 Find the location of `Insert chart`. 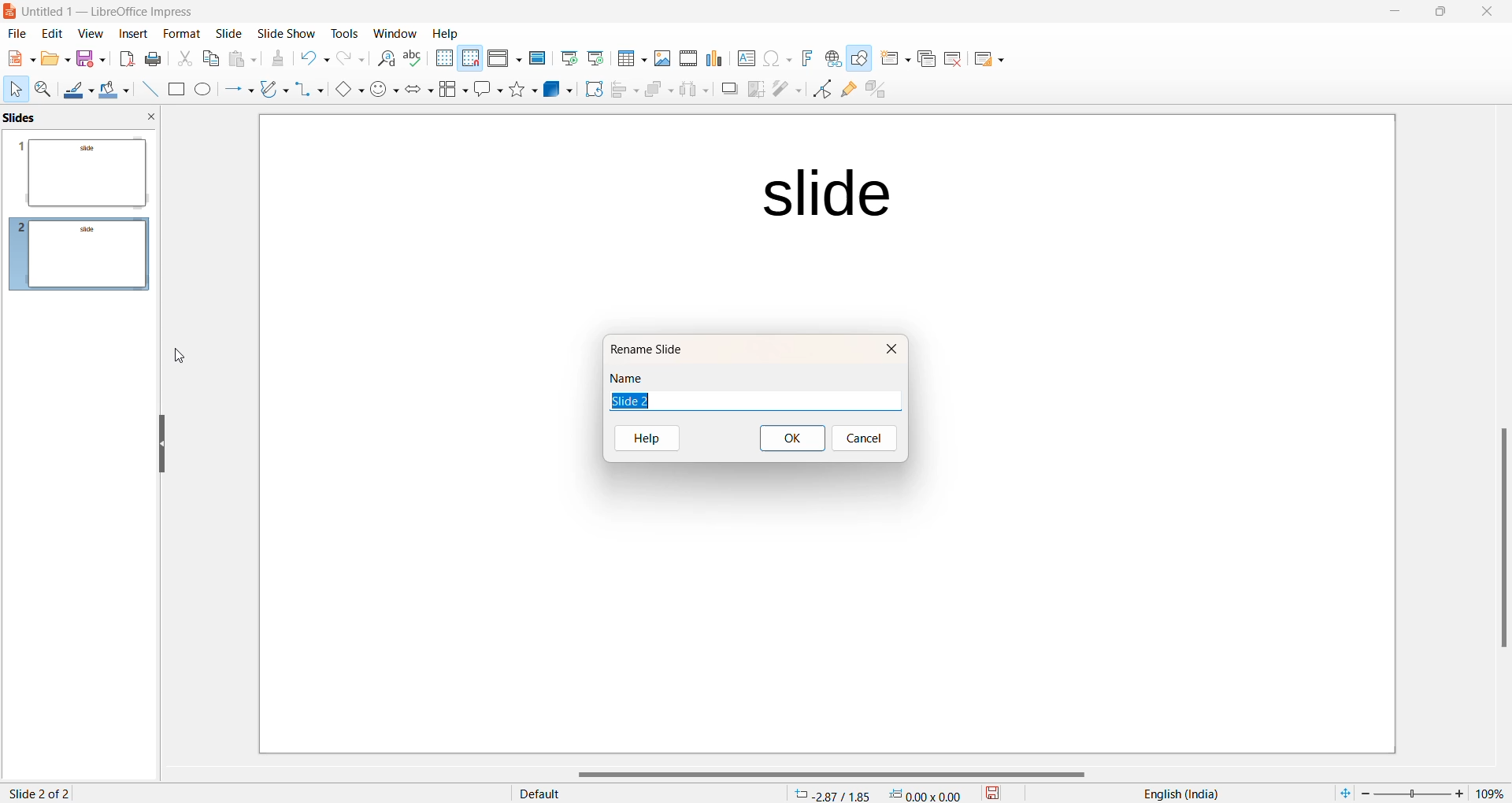

Insert chart is located at coordinates (711, 58).